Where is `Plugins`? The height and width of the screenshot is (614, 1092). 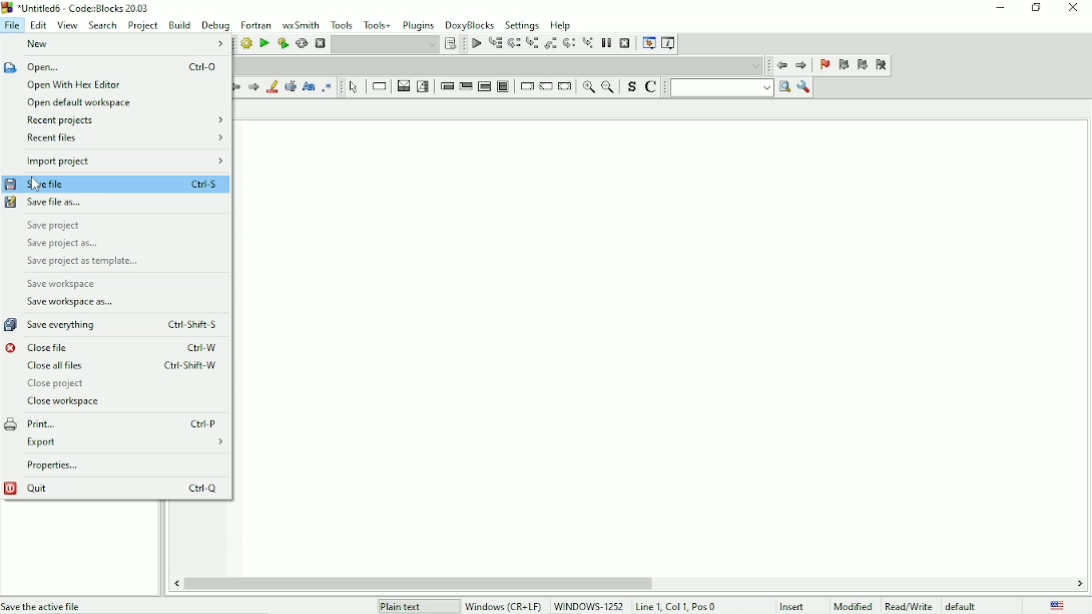 Plugins is located at coordinates (417, 25).